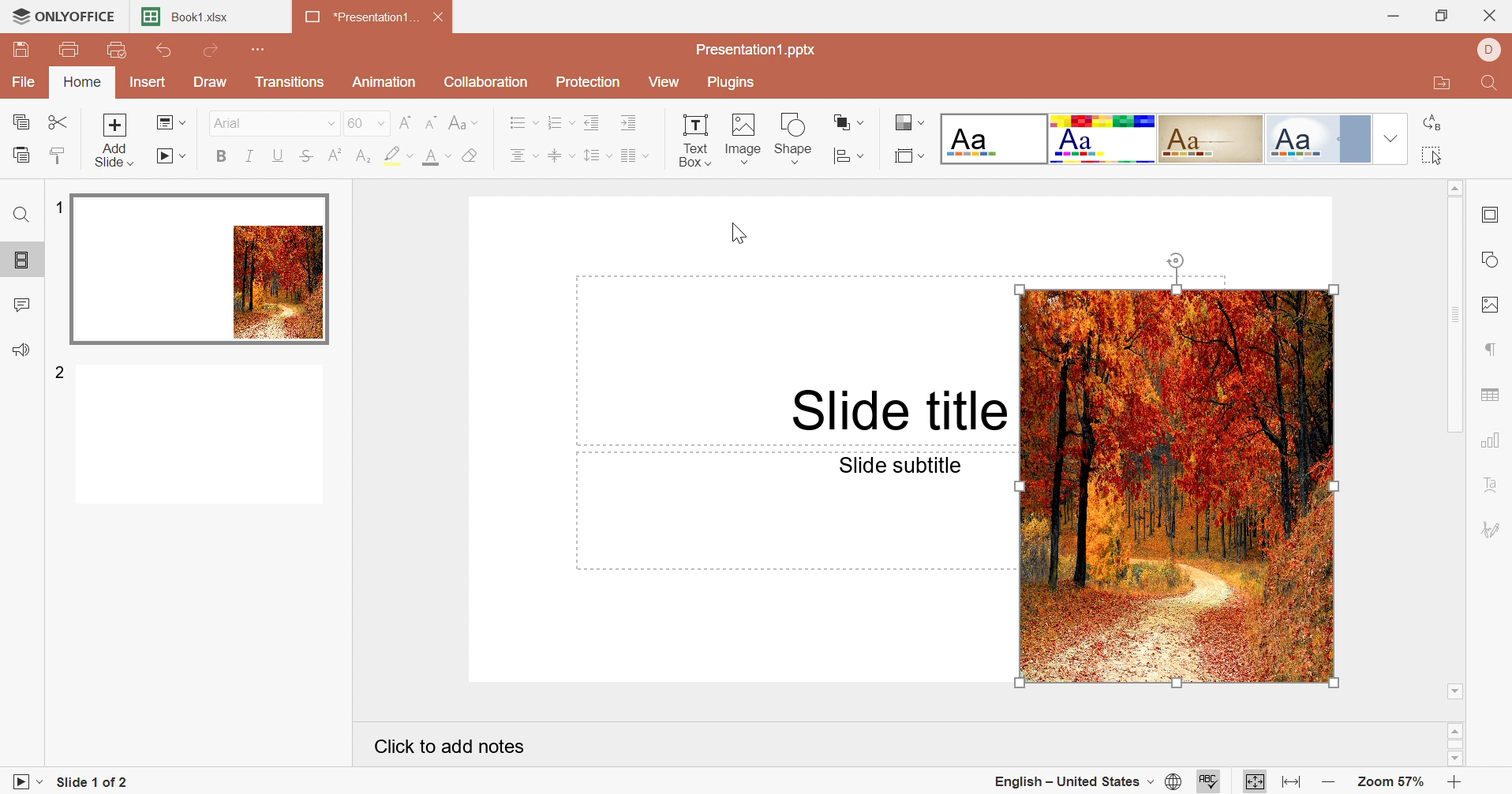 The image size is (1512, 794). Describe the element at coordinates (219, 159) in the screenshot. I see `Bold` at that location.